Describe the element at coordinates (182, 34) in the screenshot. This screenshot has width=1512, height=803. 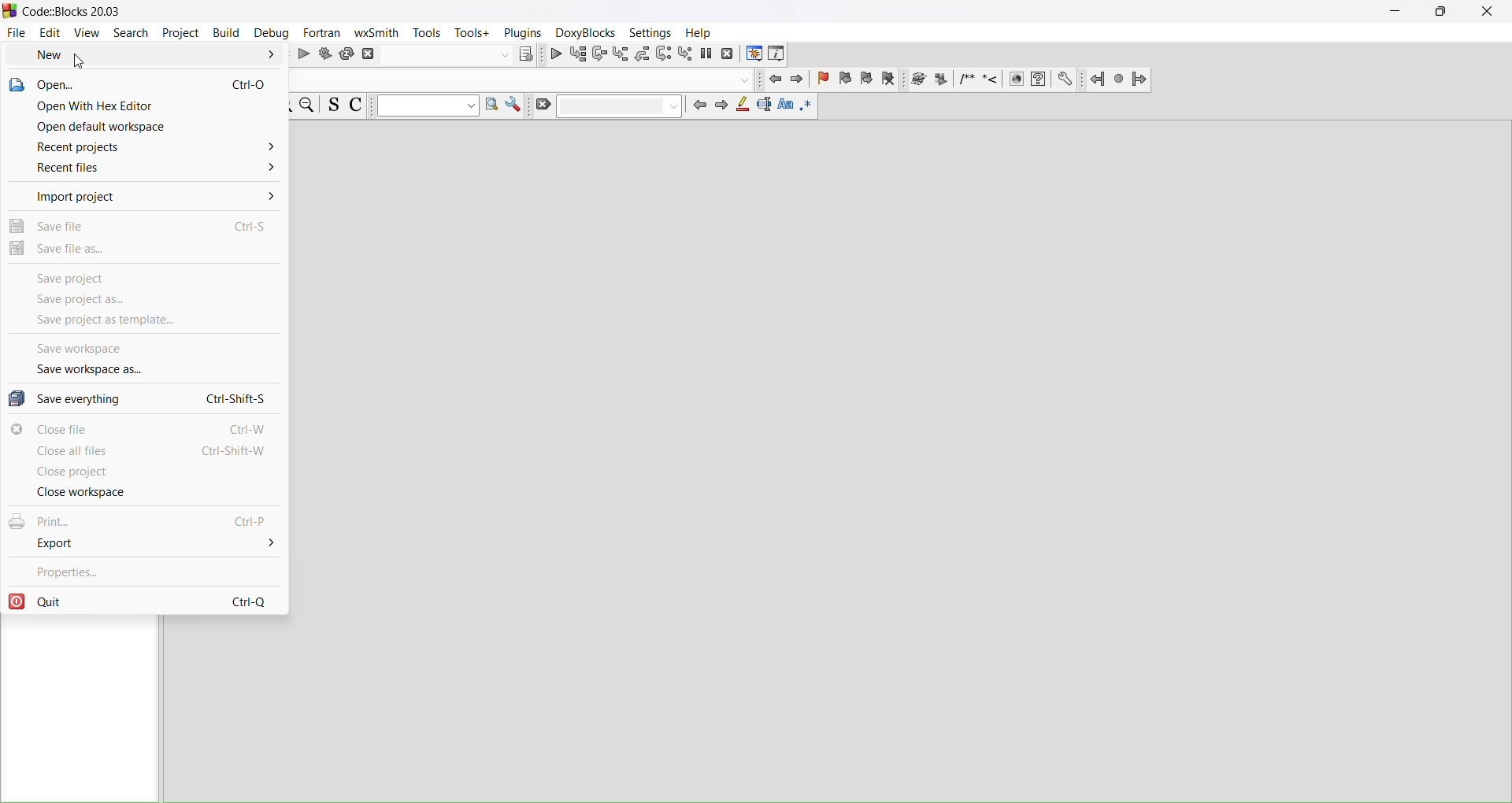
I see `project` at that location.